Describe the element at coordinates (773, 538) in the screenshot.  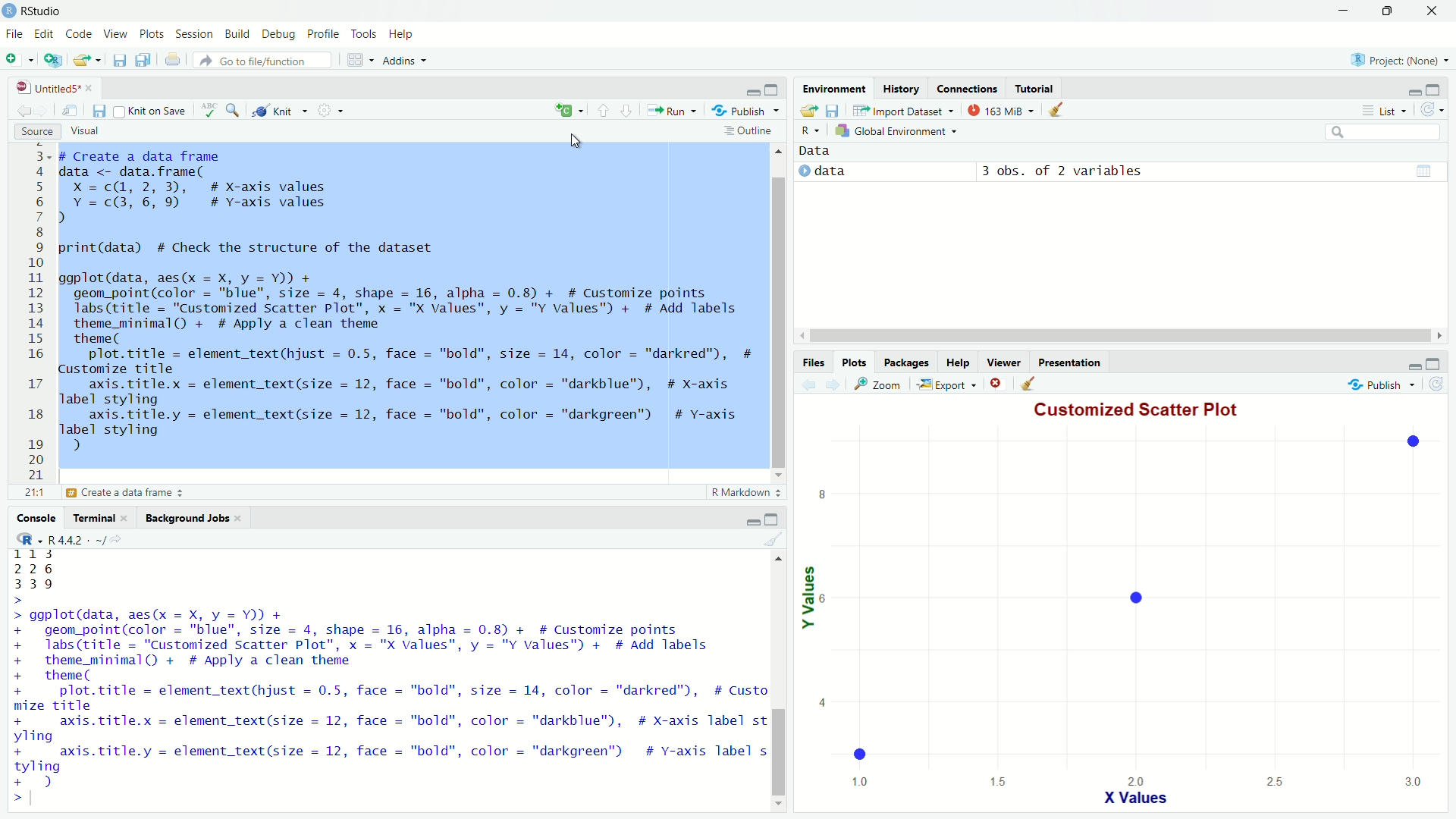
I see `Clear console` at that location.